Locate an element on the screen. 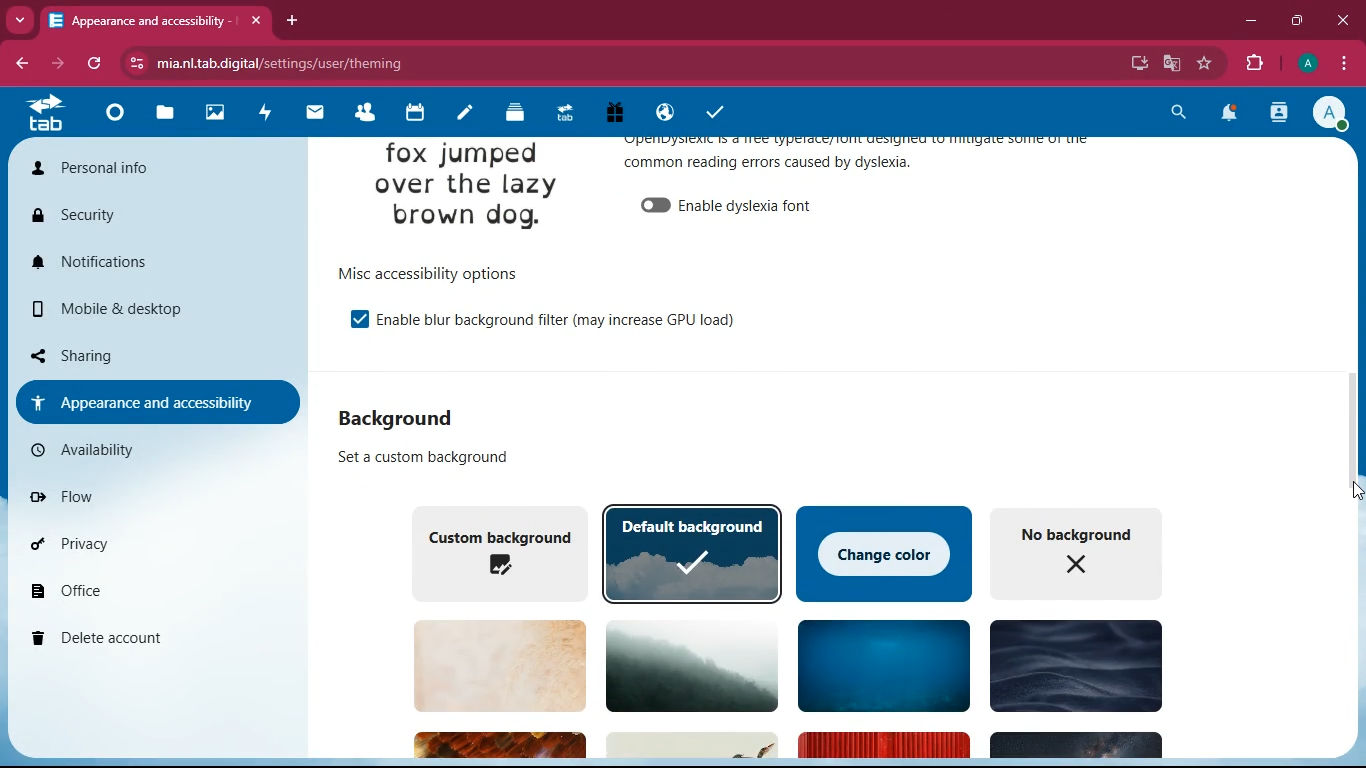  tab is located at coordinates (44, 114).